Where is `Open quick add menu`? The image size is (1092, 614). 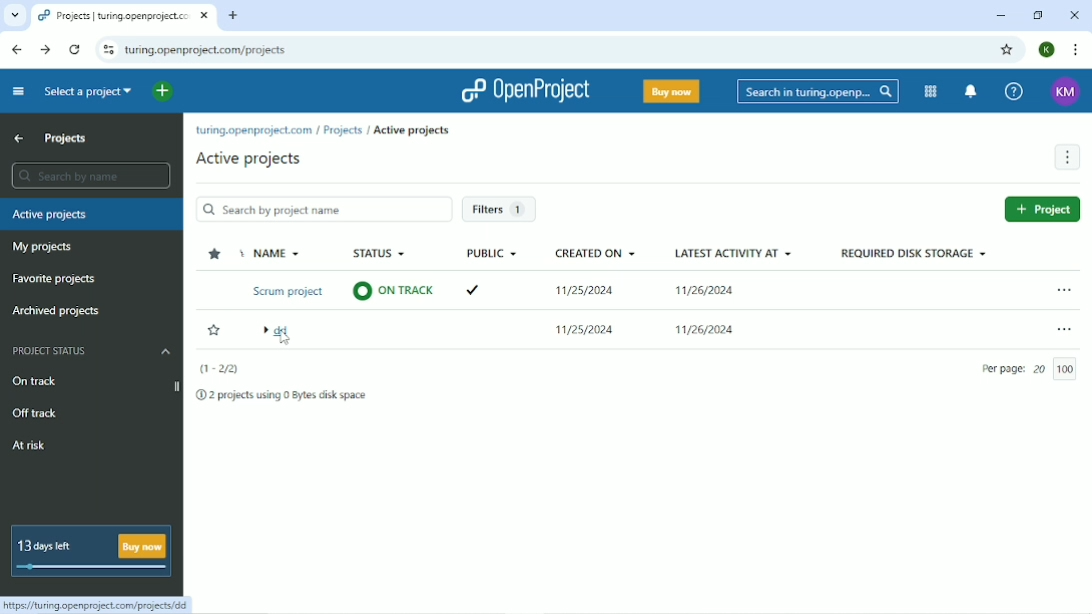 Open quick add menu is located at coordinates (163, 91).